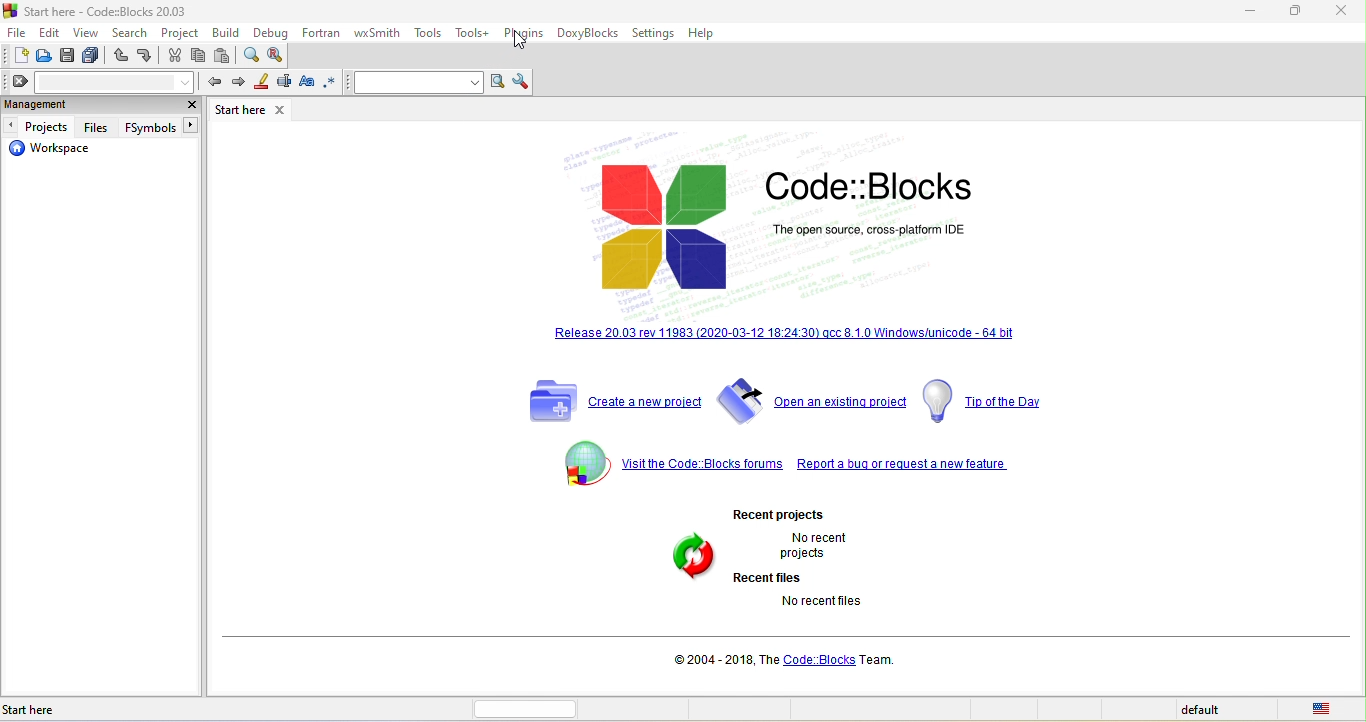 This screenshot has width=1366, height=722. I want to click on hyperlink, so click(772, 336).